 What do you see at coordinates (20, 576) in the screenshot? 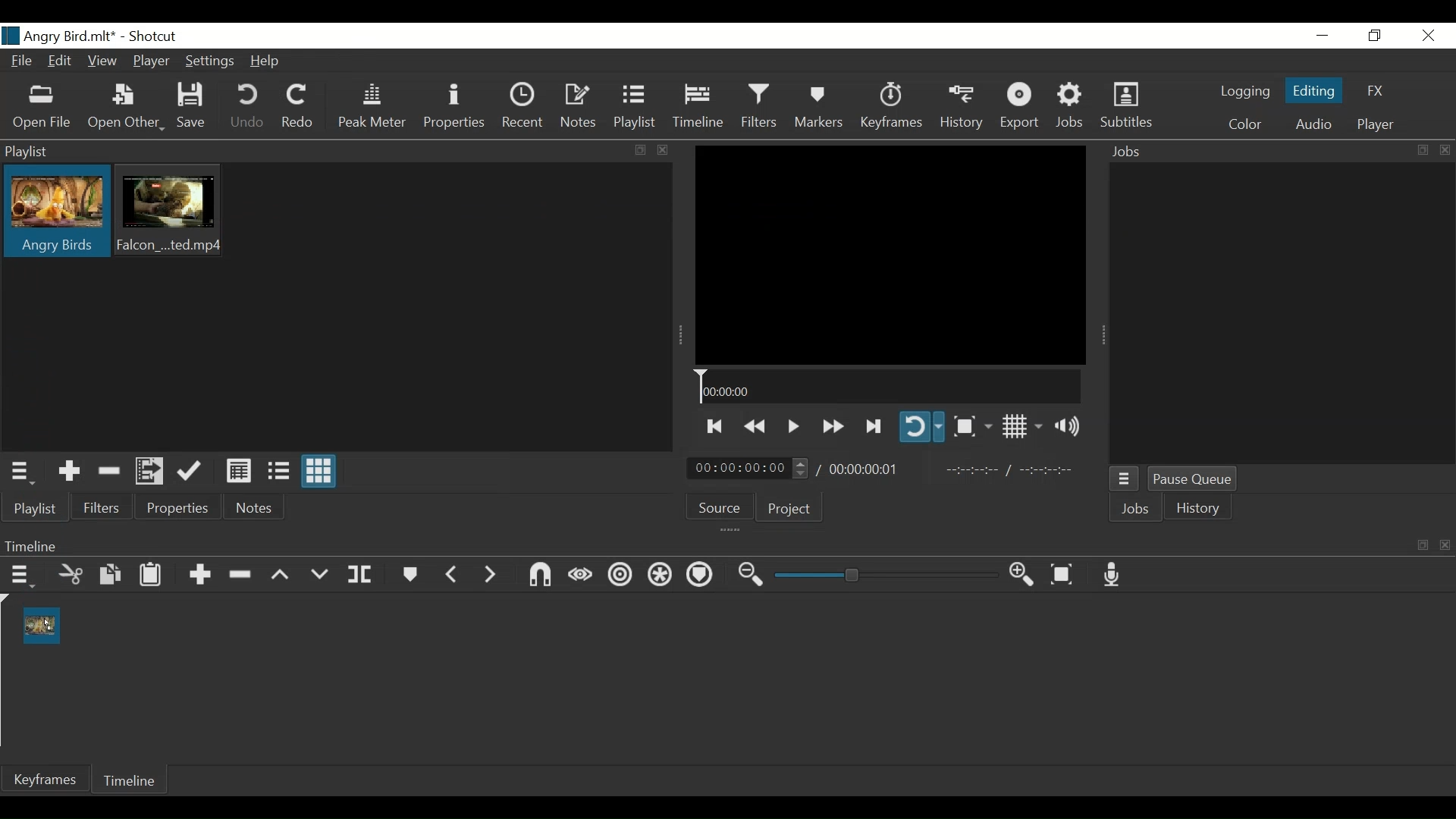
I see `Timeline menu` at bounding box center [20, 576].